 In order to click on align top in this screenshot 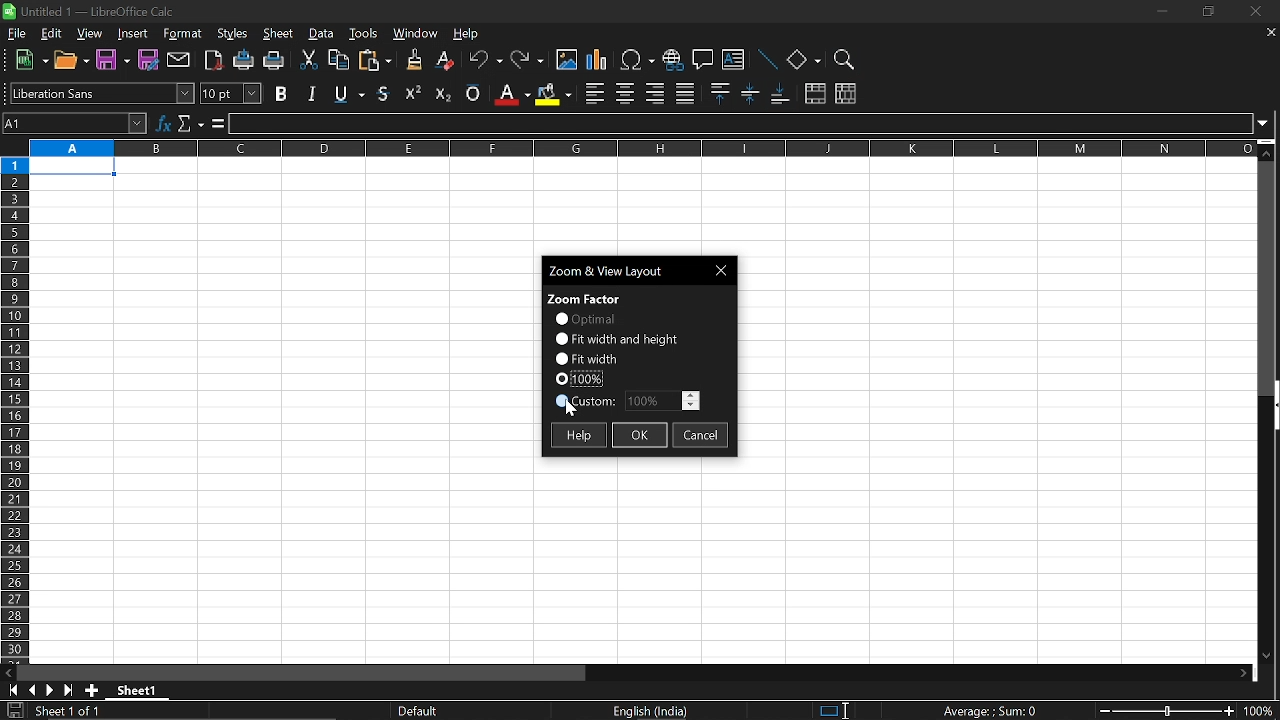, I will do `click(718, 93)`.